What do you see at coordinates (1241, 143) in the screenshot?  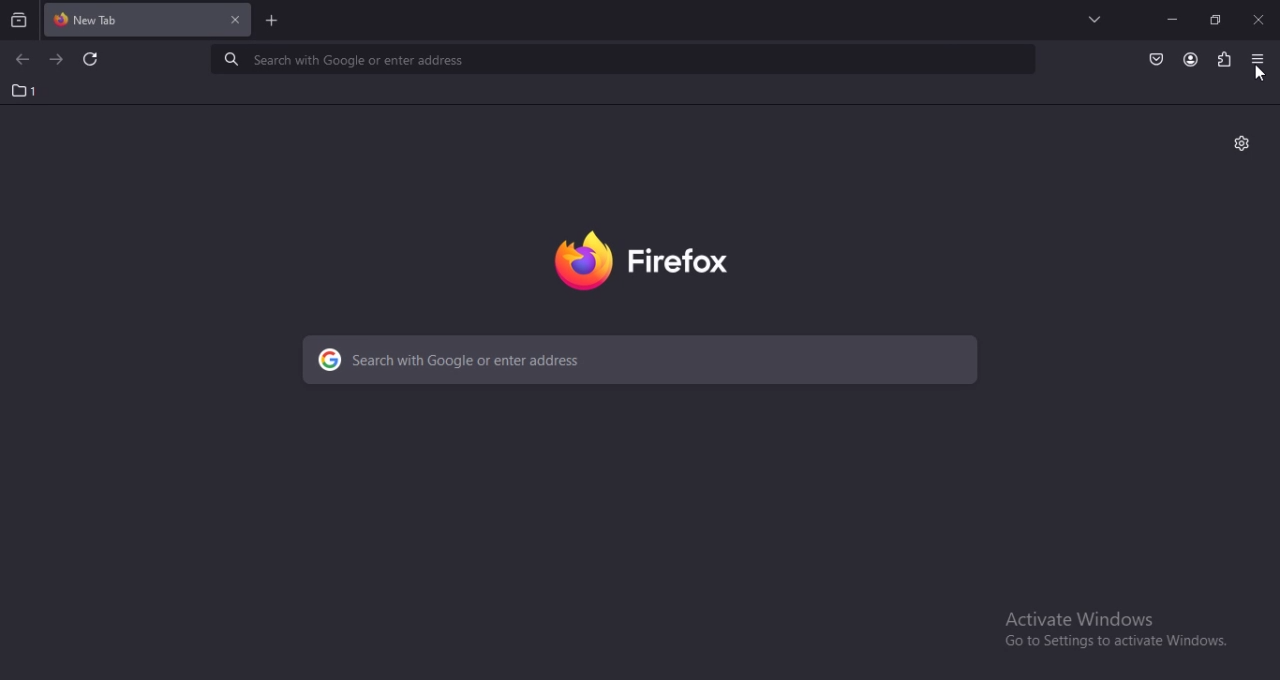 I see `personalize new tab` at bounding box center [1241, 143].